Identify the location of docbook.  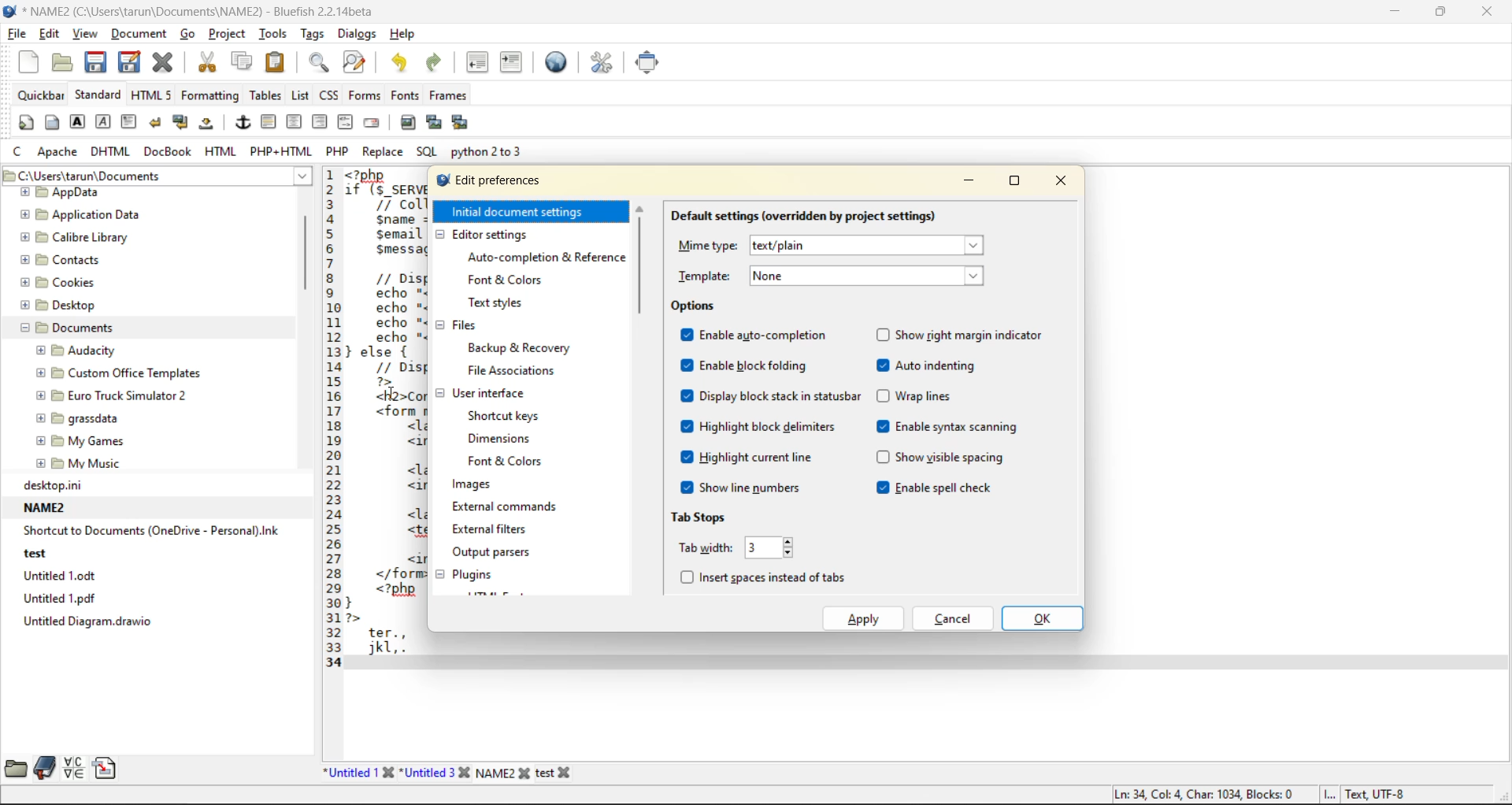
(171, 153).